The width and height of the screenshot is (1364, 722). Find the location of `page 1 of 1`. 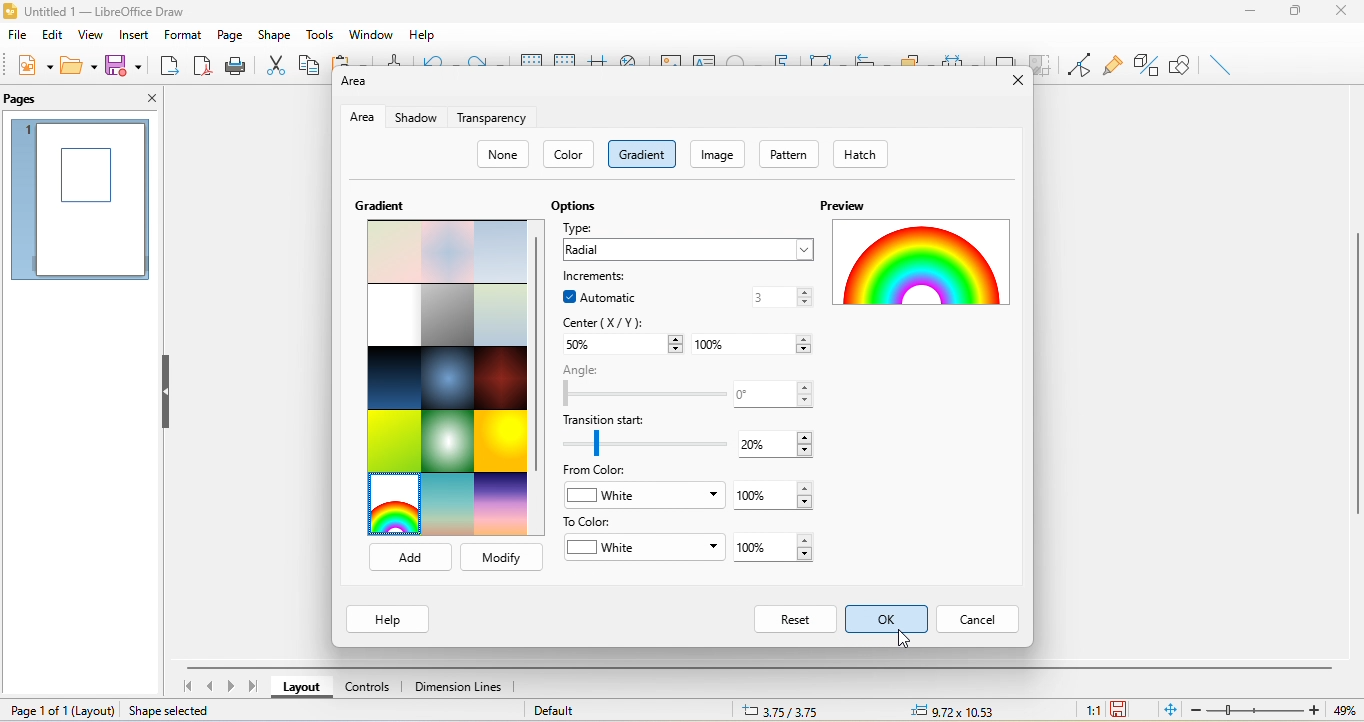

page 1 of 1 is located at coordinates (61, 711).